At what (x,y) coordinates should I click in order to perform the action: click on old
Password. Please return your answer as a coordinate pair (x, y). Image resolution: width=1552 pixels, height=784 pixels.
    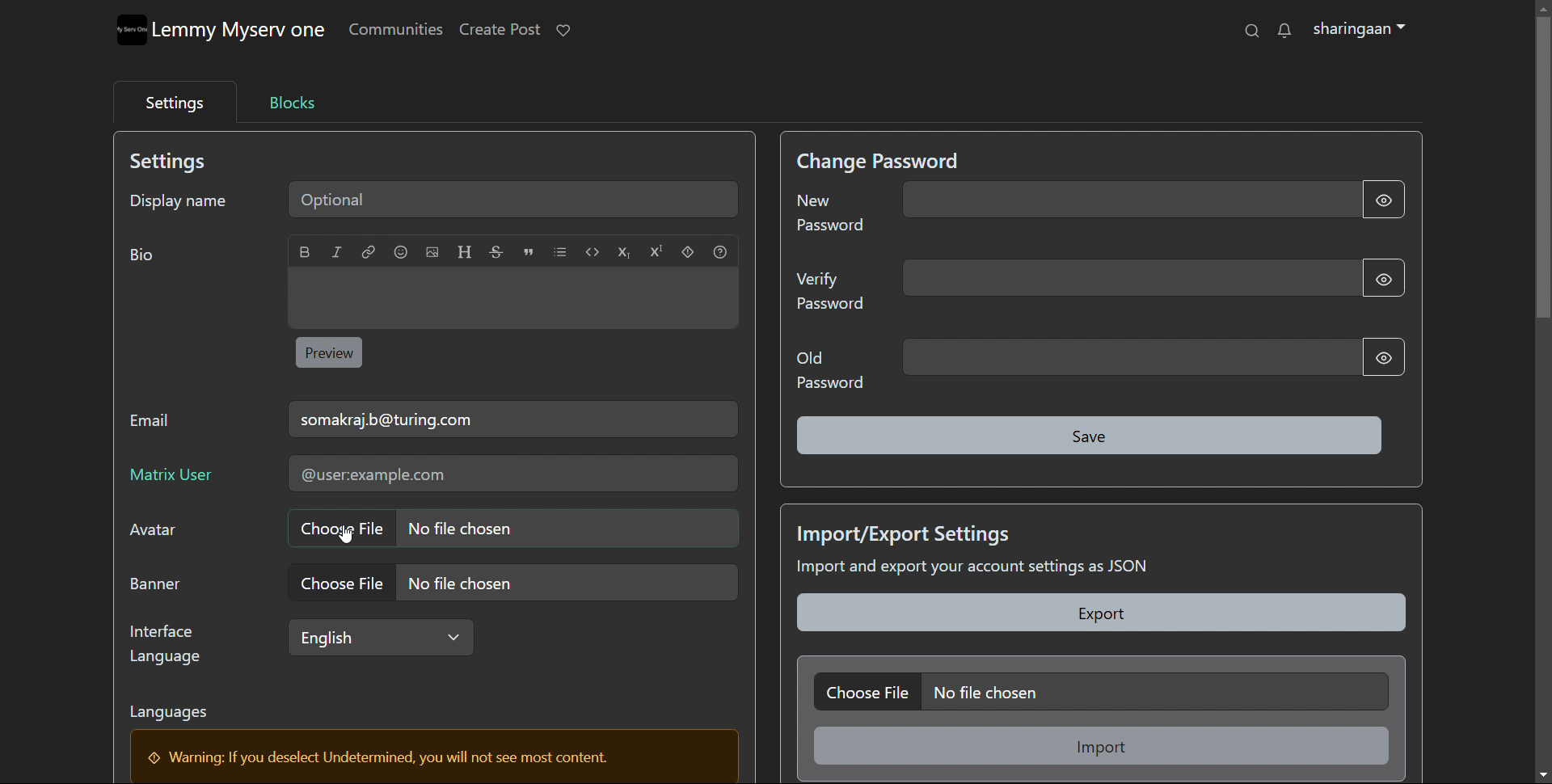
    Looking at the image, I should click on (829, 369).